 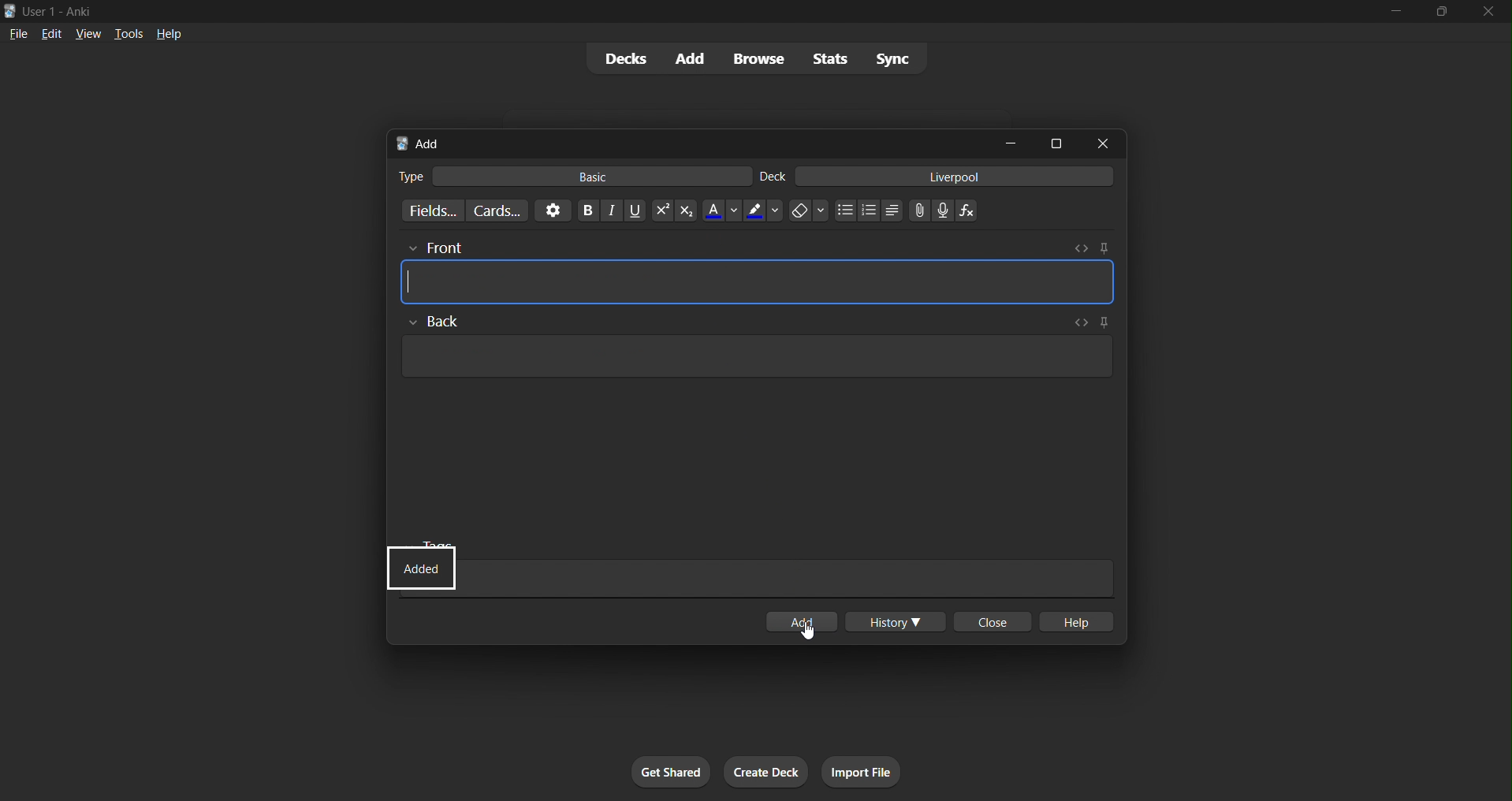 What do you see at coordinates (843, 210) in the screenshot?
I see `unordered list` at bounding box center [843, 210].